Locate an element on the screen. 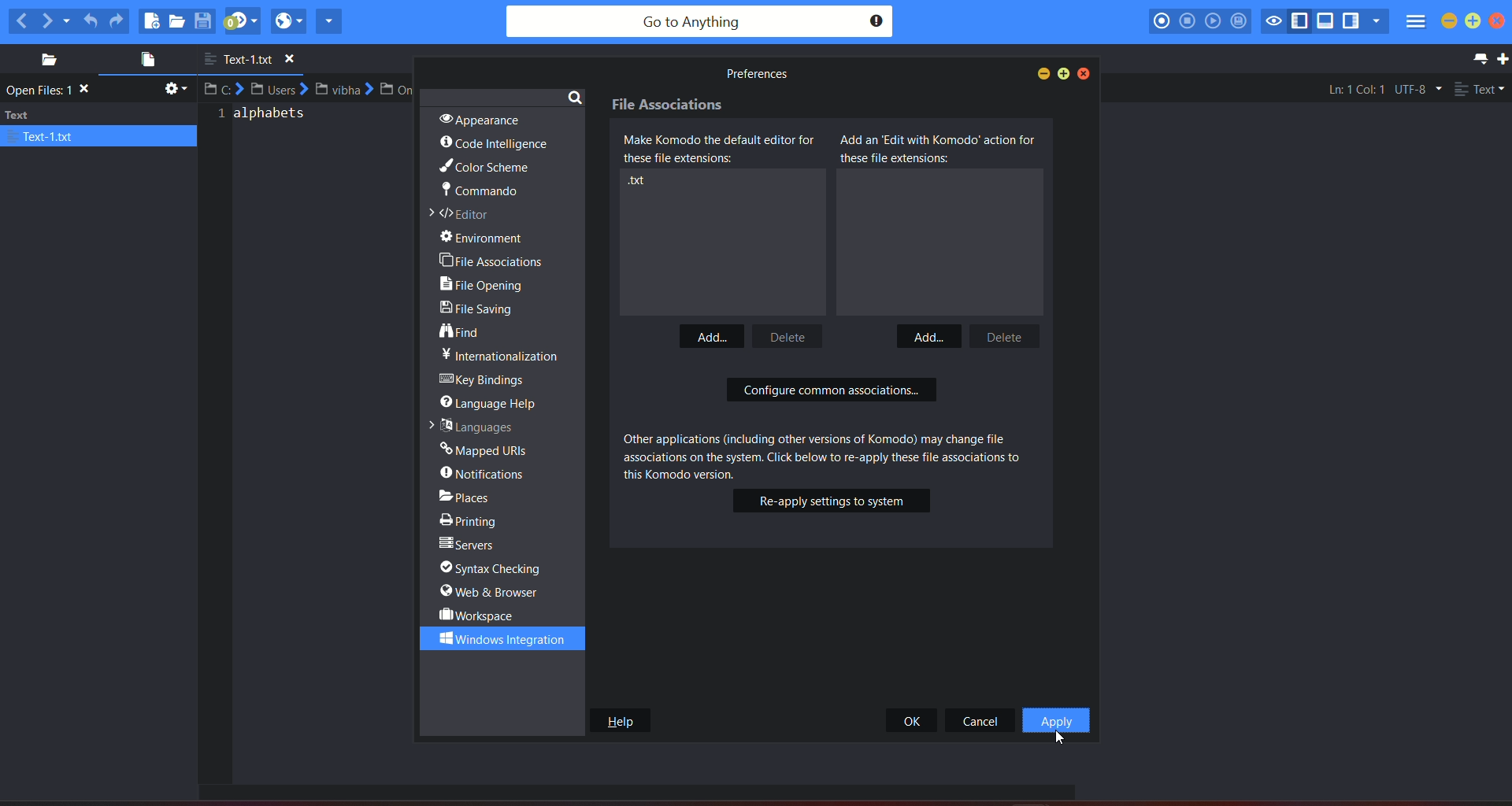 The width and height of the screenshot is (1512, 806). Cursor is located at coordinates (1052, 628).